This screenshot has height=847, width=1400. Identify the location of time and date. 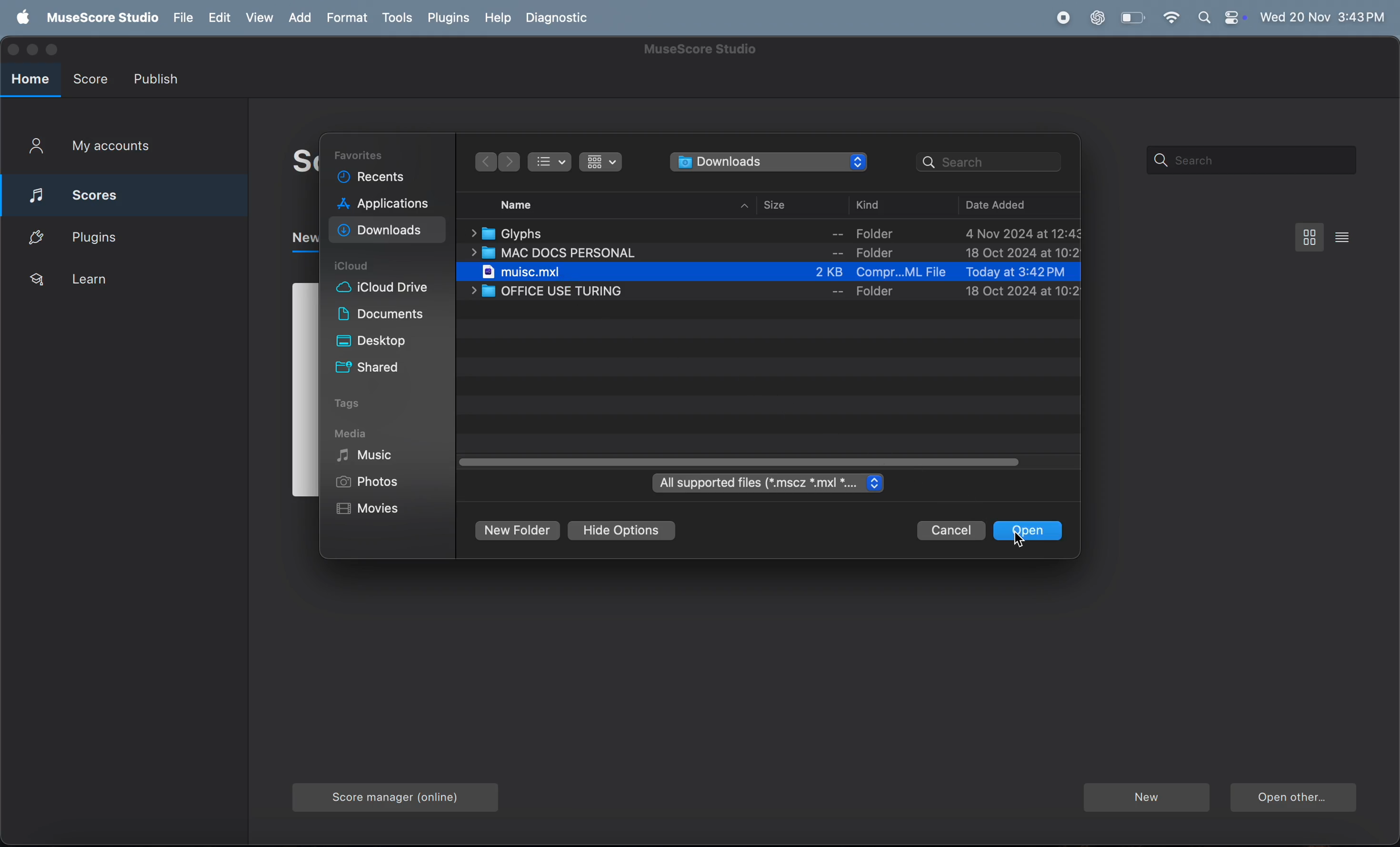
(1322, 16).